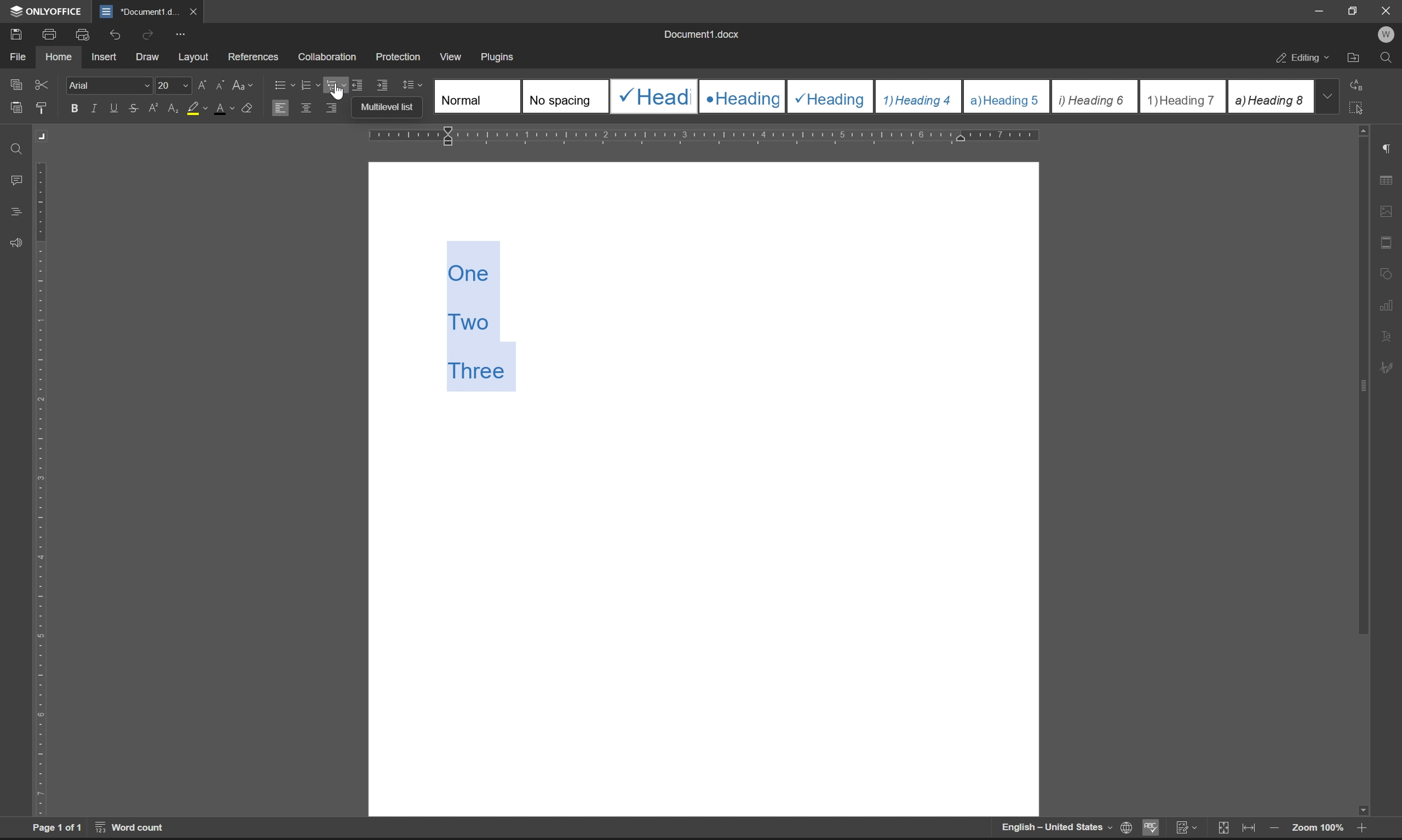 The image size is (1402, 840). What do you see at coordinates (383, 85) in the screenshot?
I see `increase indent` at bounding box center [383, 85].